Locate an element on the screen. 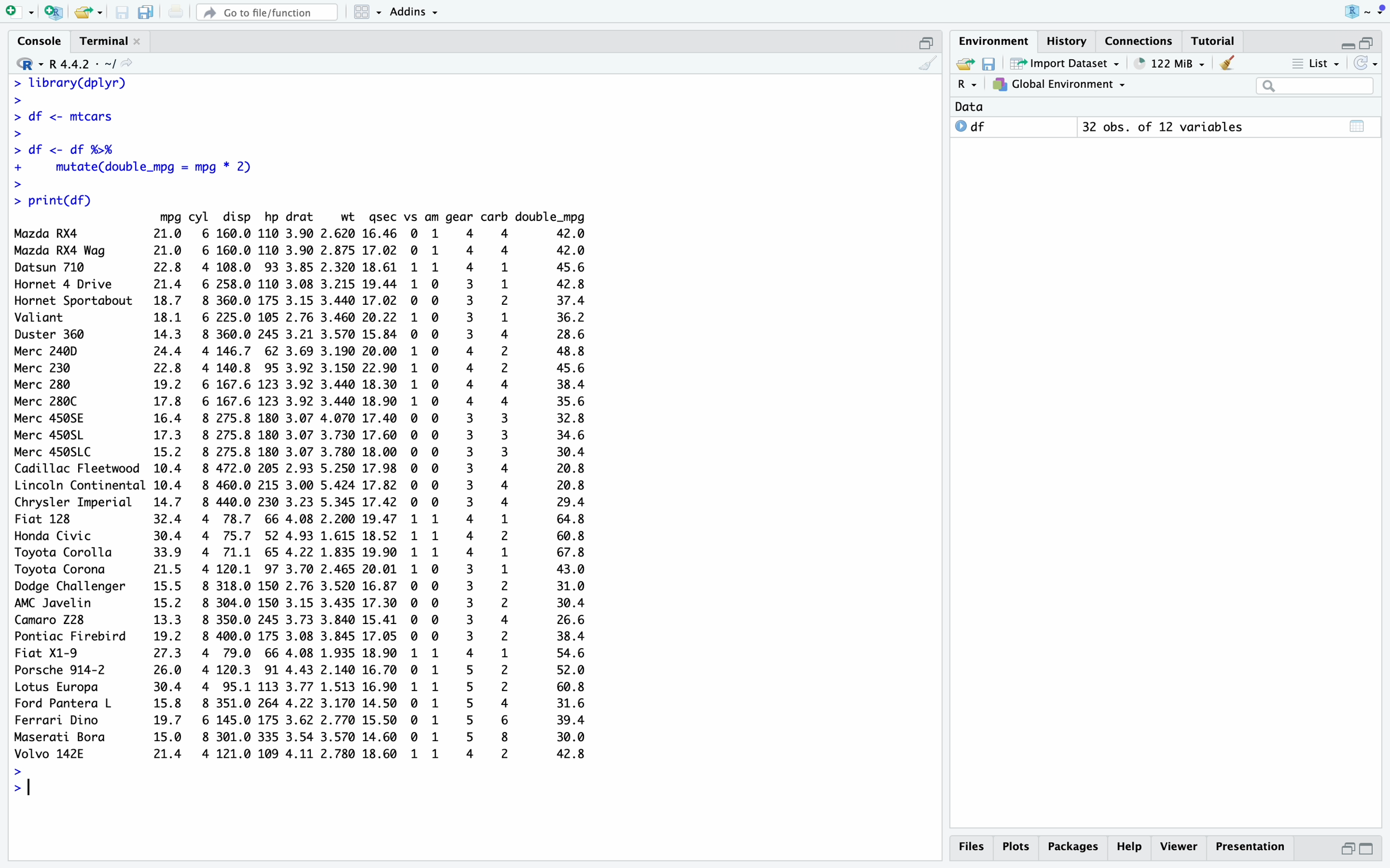 The width and height of the screenshot is (1390, 868). 124 MiB is located at coordinates (1171, 64).